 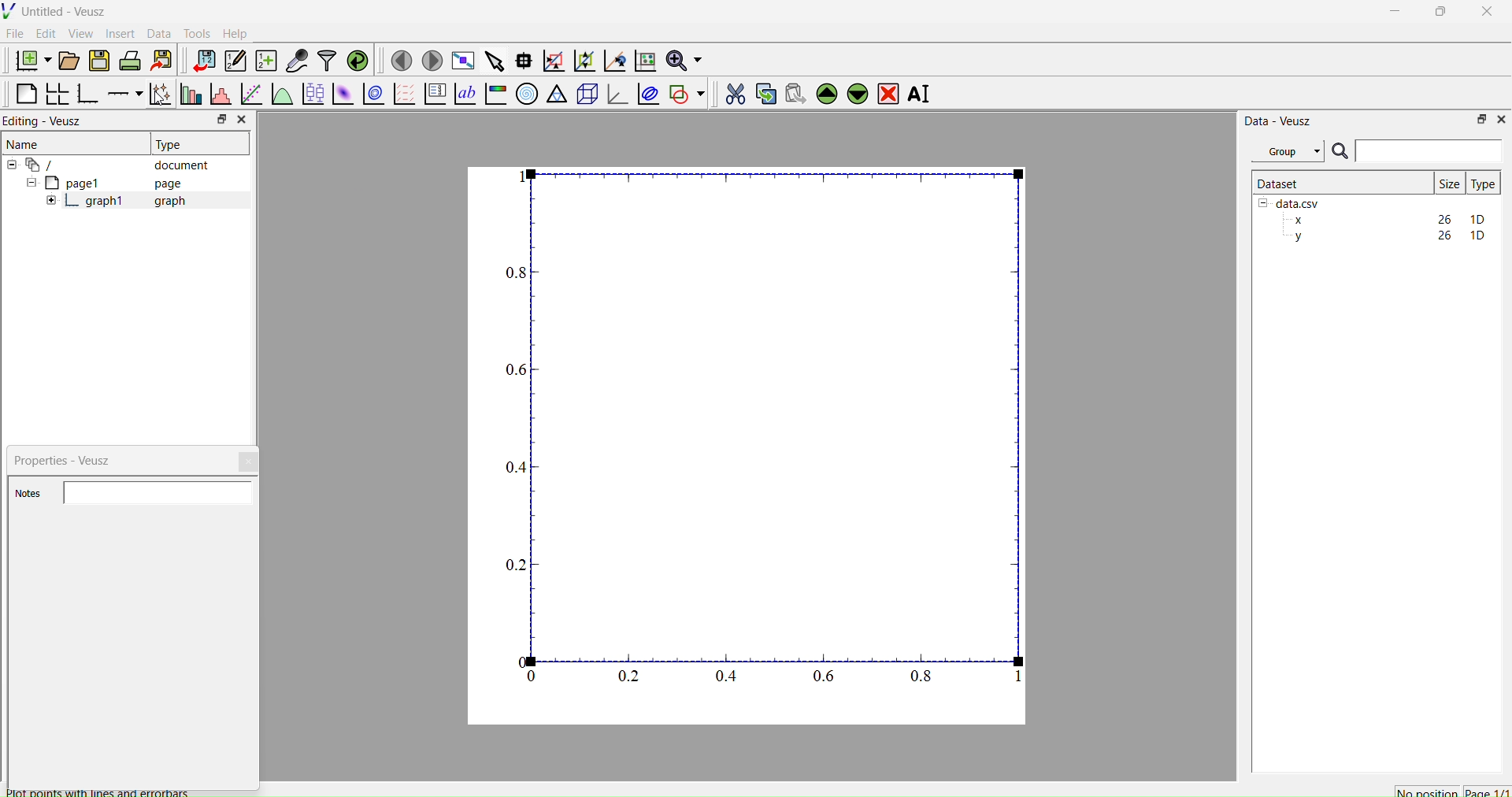 What do you see at coordinates (1483, 183) in the screenshot?
I see `Type` at bounding box center [1483, 183].